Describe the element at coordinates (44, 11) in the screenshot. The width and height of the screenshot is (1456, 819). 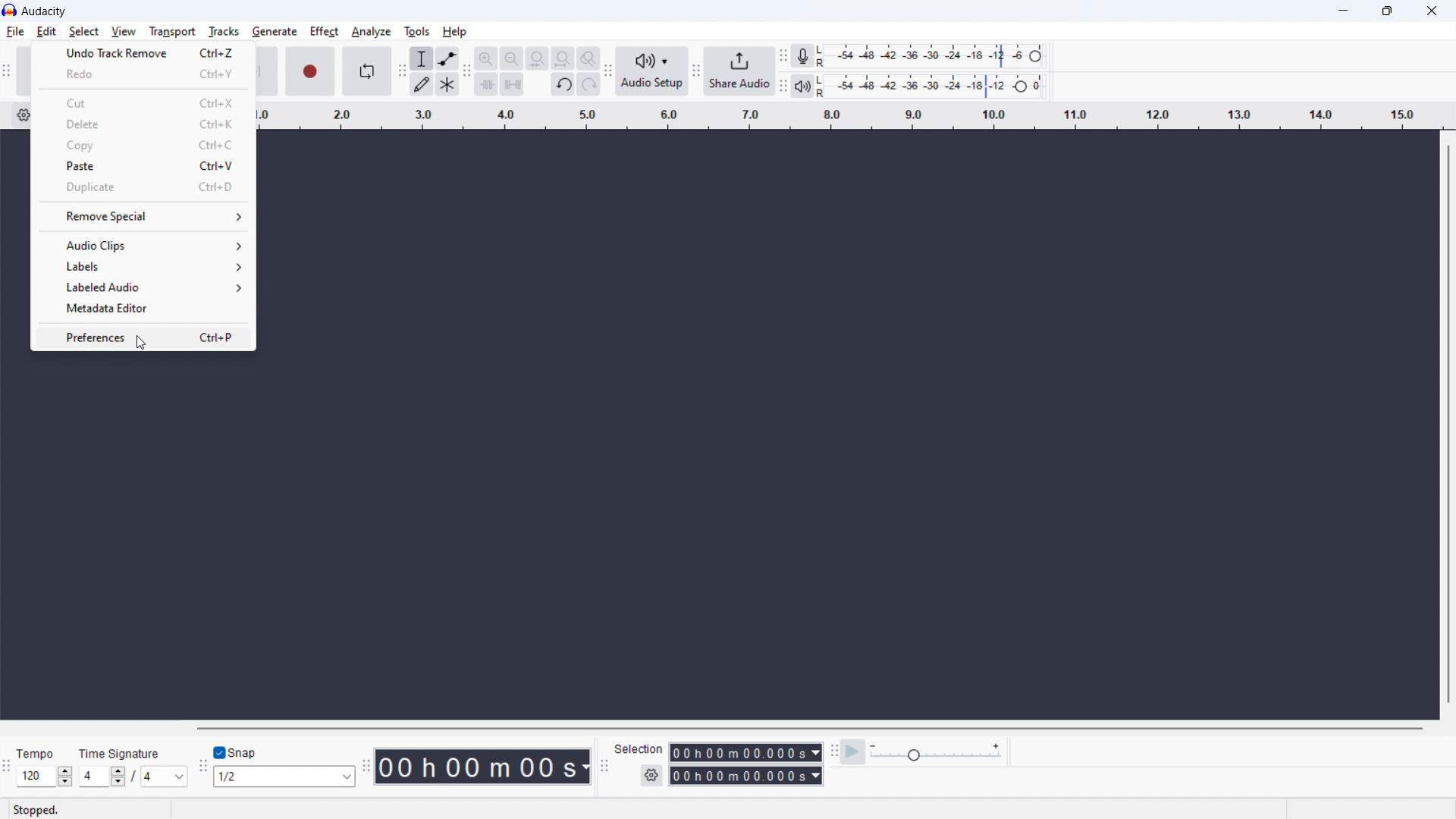
I see `Audacity - software title` at that location.